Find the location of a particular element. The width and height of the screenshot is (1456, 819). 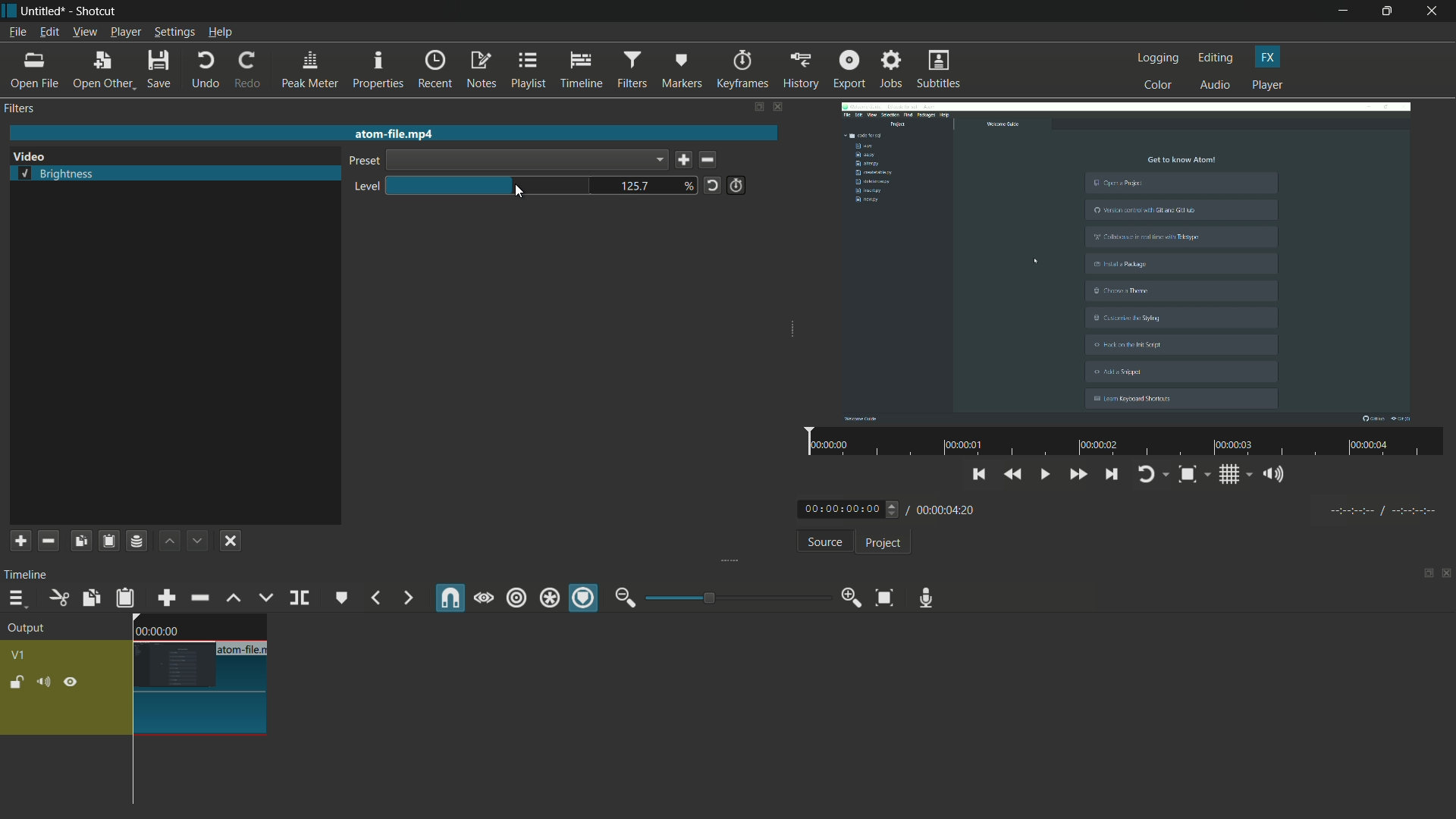

ripple all tracks is located at coordinates (548, 600).